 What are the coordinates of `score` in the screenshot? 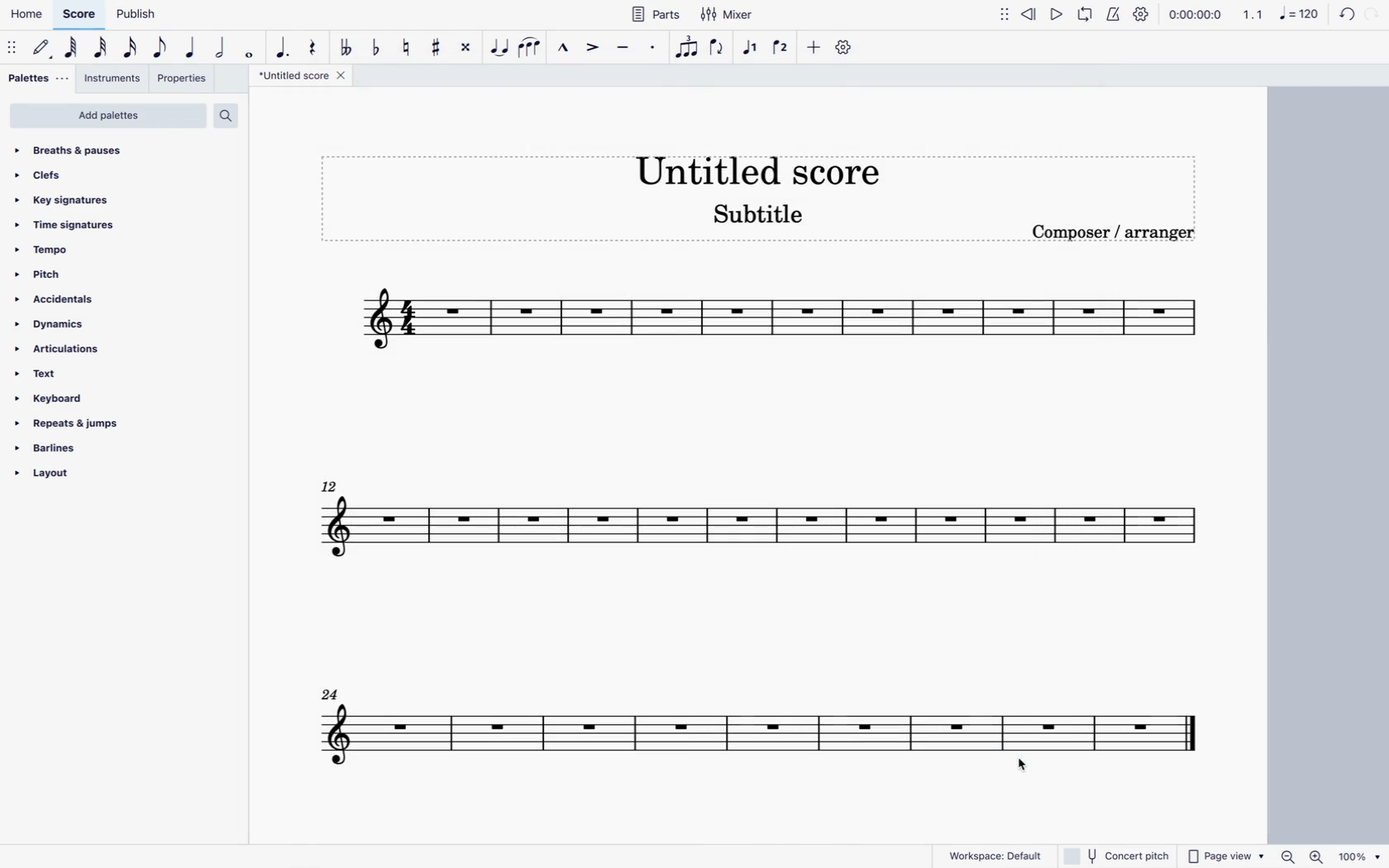 It's located at (752, 524).